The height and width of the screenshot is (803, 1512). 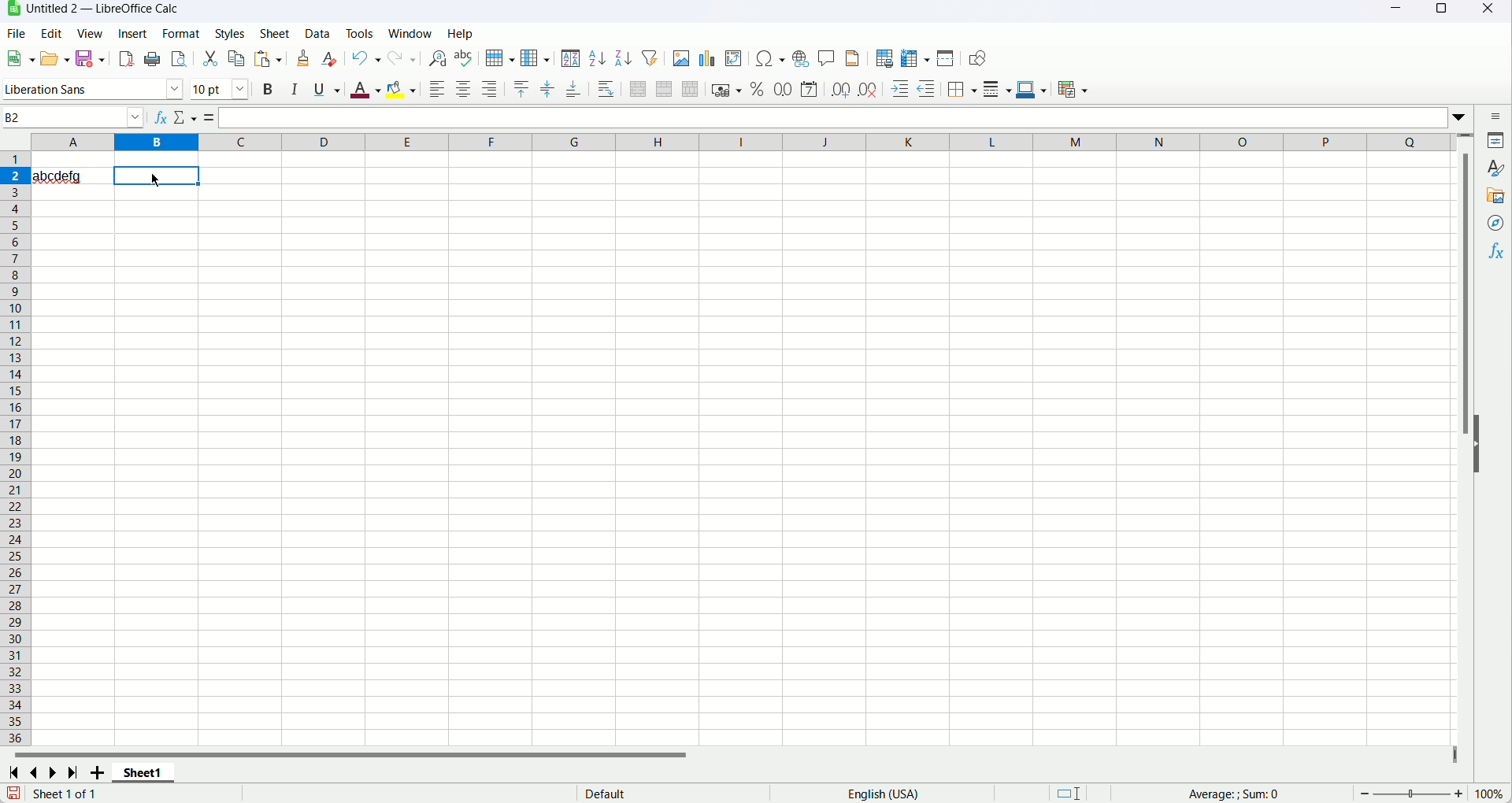 What do you see at coordinates (979, 59) in the screenshot?
I see `draw function` at bounding box center [979, 59].